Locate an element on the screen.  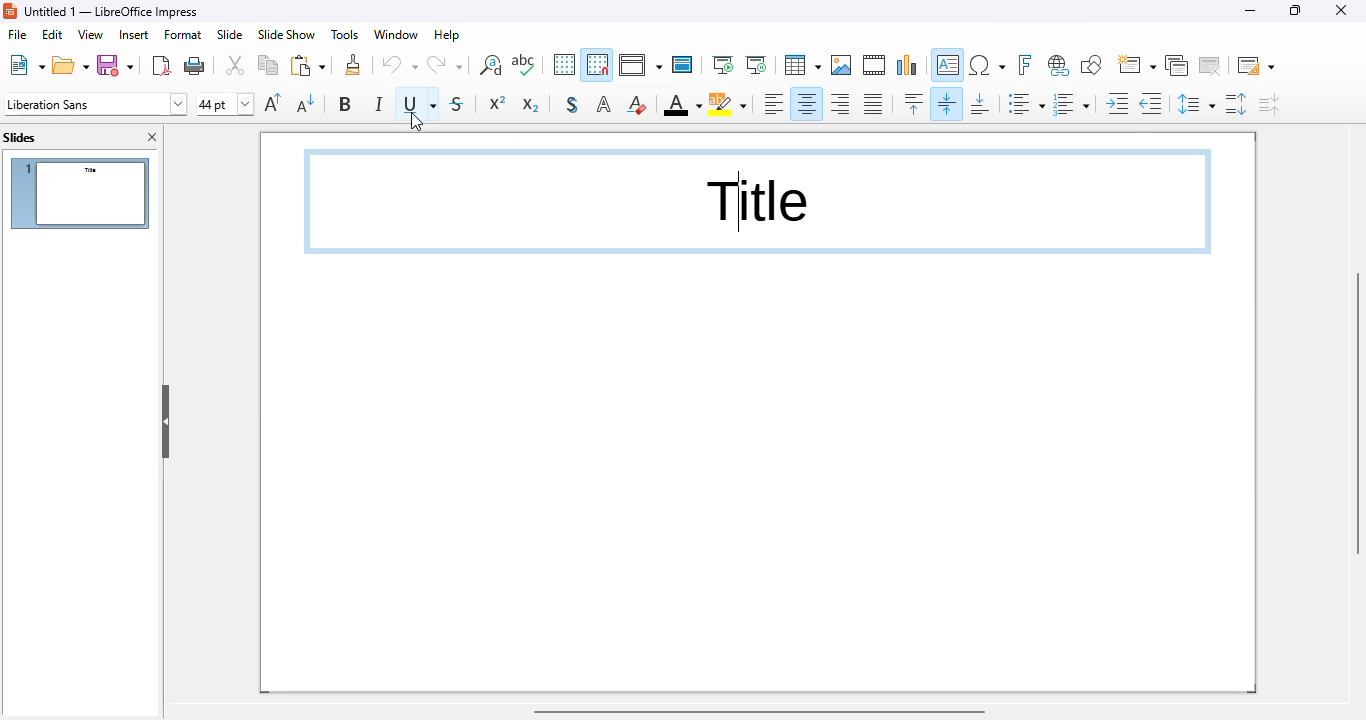
undo is located at coordinates (400, 64).